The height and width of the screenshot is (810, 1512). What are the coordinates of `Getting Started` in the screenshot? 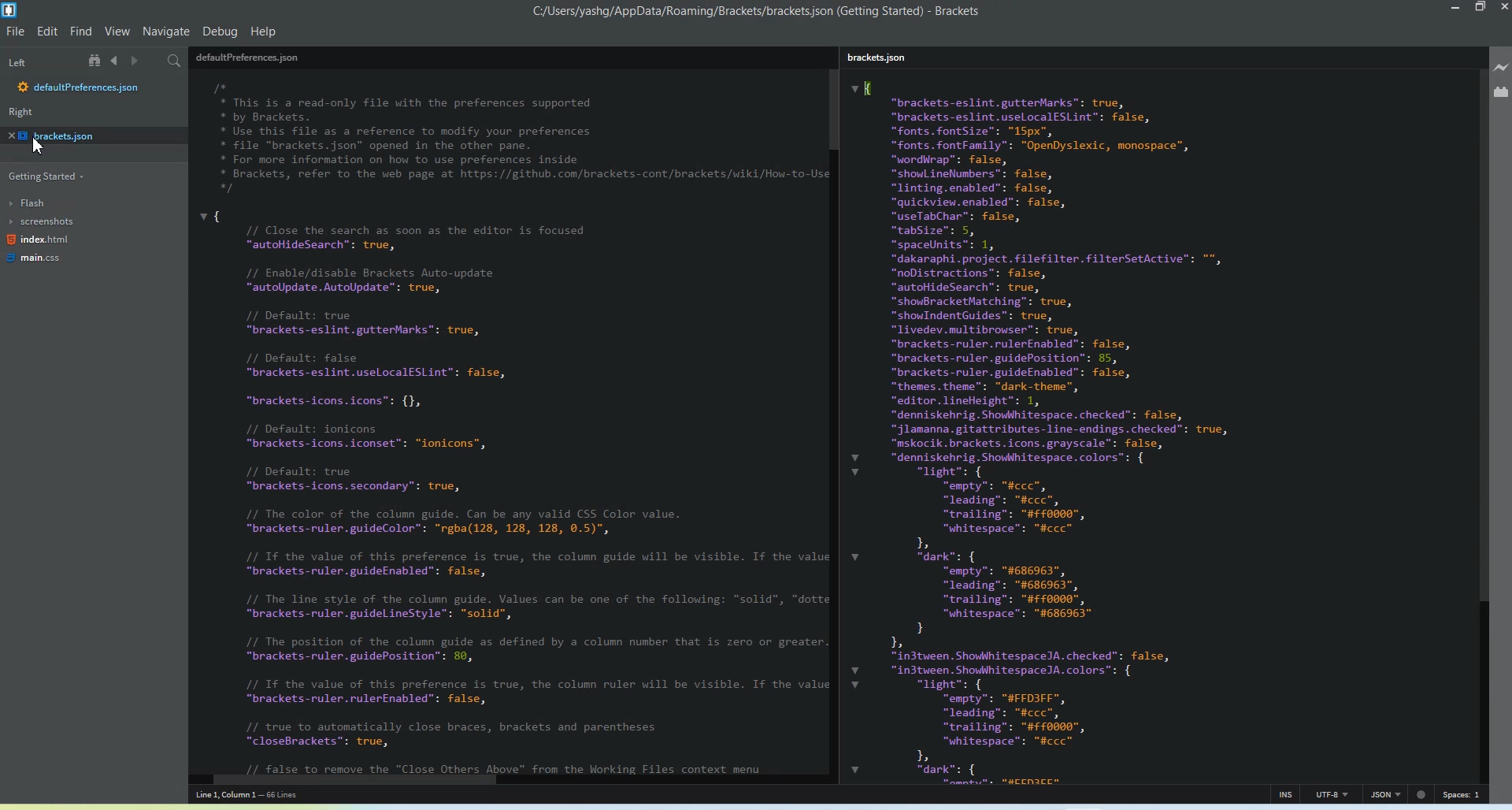 It's located at (43, 177).